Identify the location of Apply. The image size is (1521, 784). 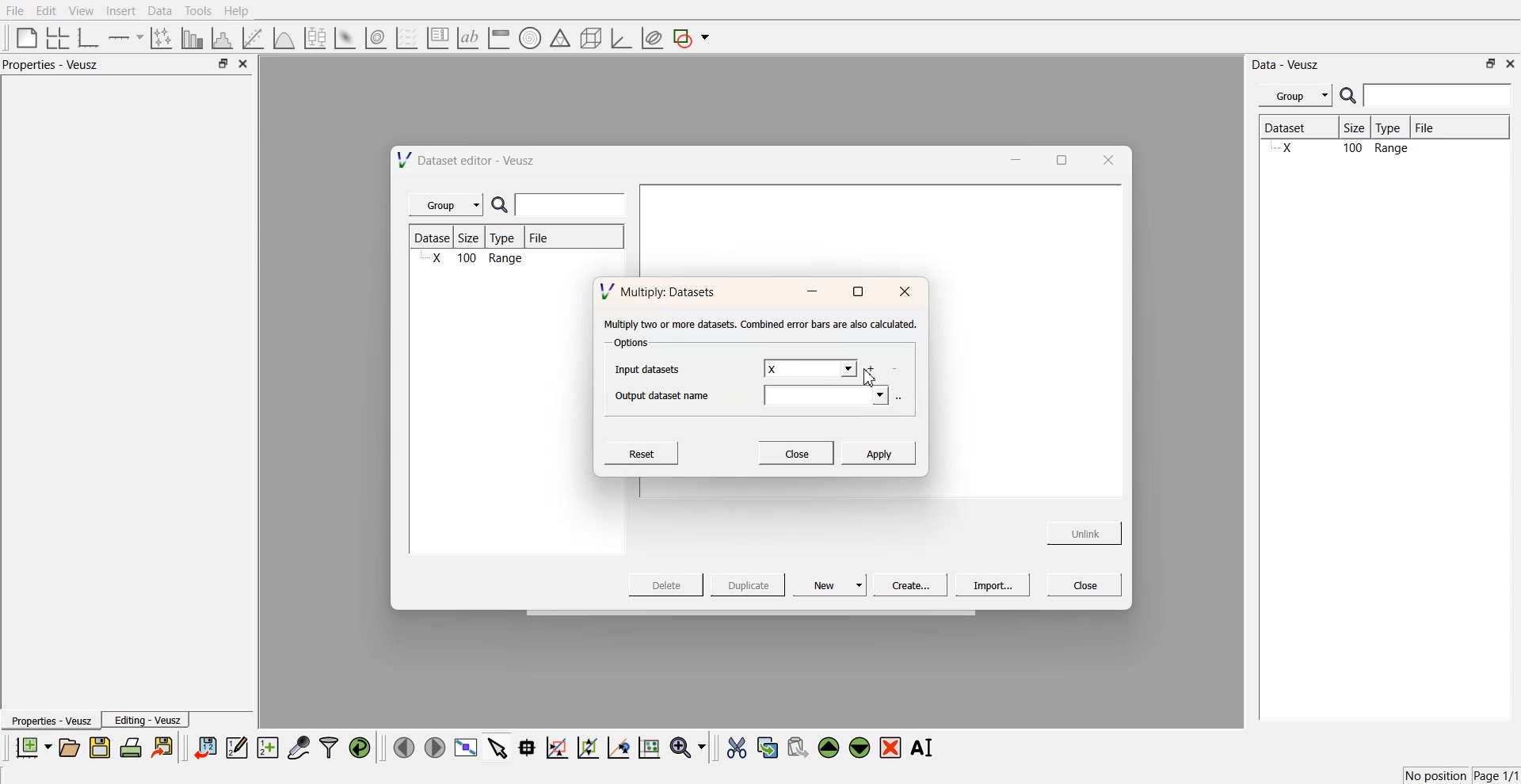
(879, 452).